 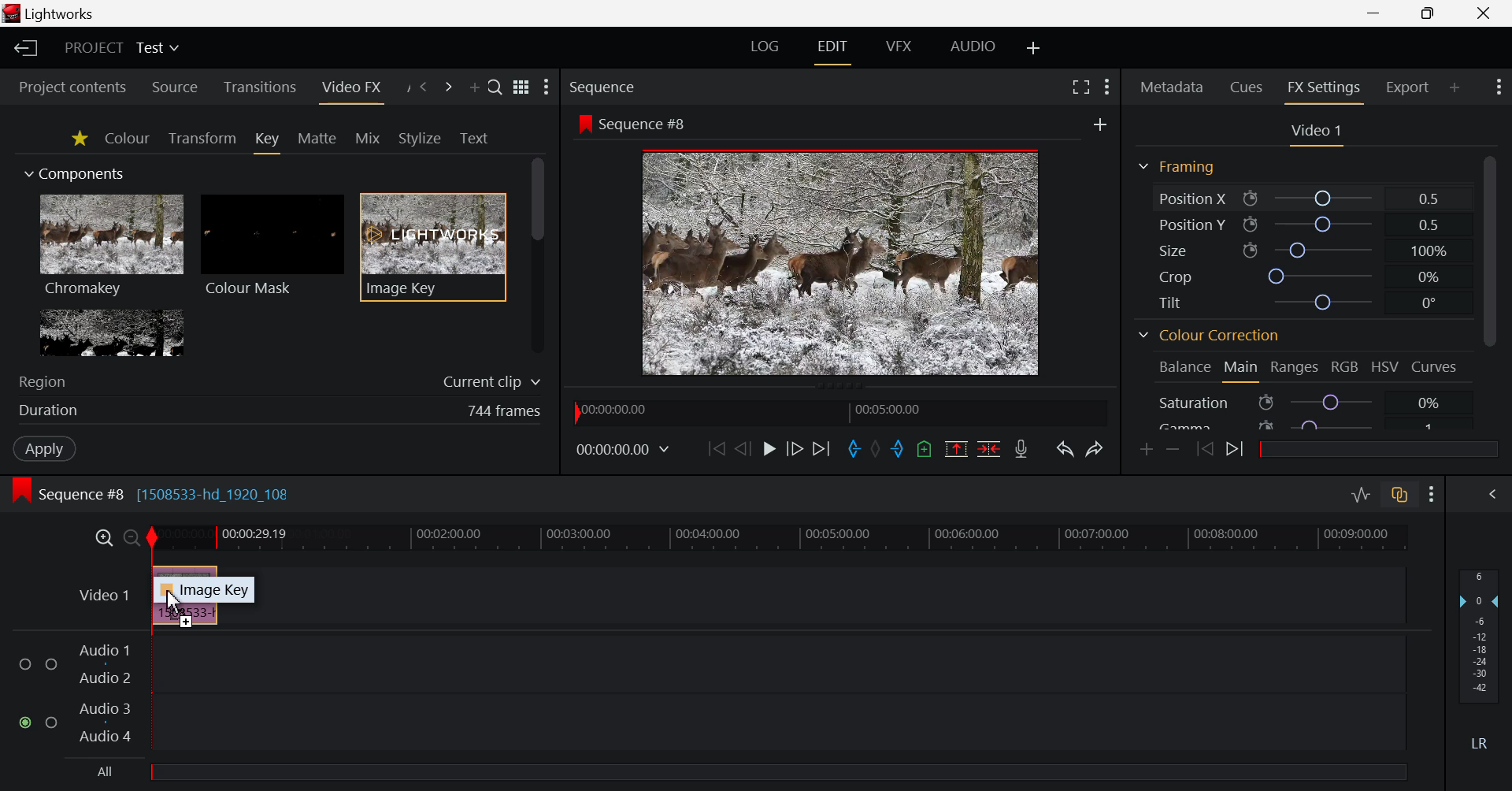 What do you see at coordinates (106, 709) in the screenshot?
I see `Audio 3` at bounding box center [106, 709].